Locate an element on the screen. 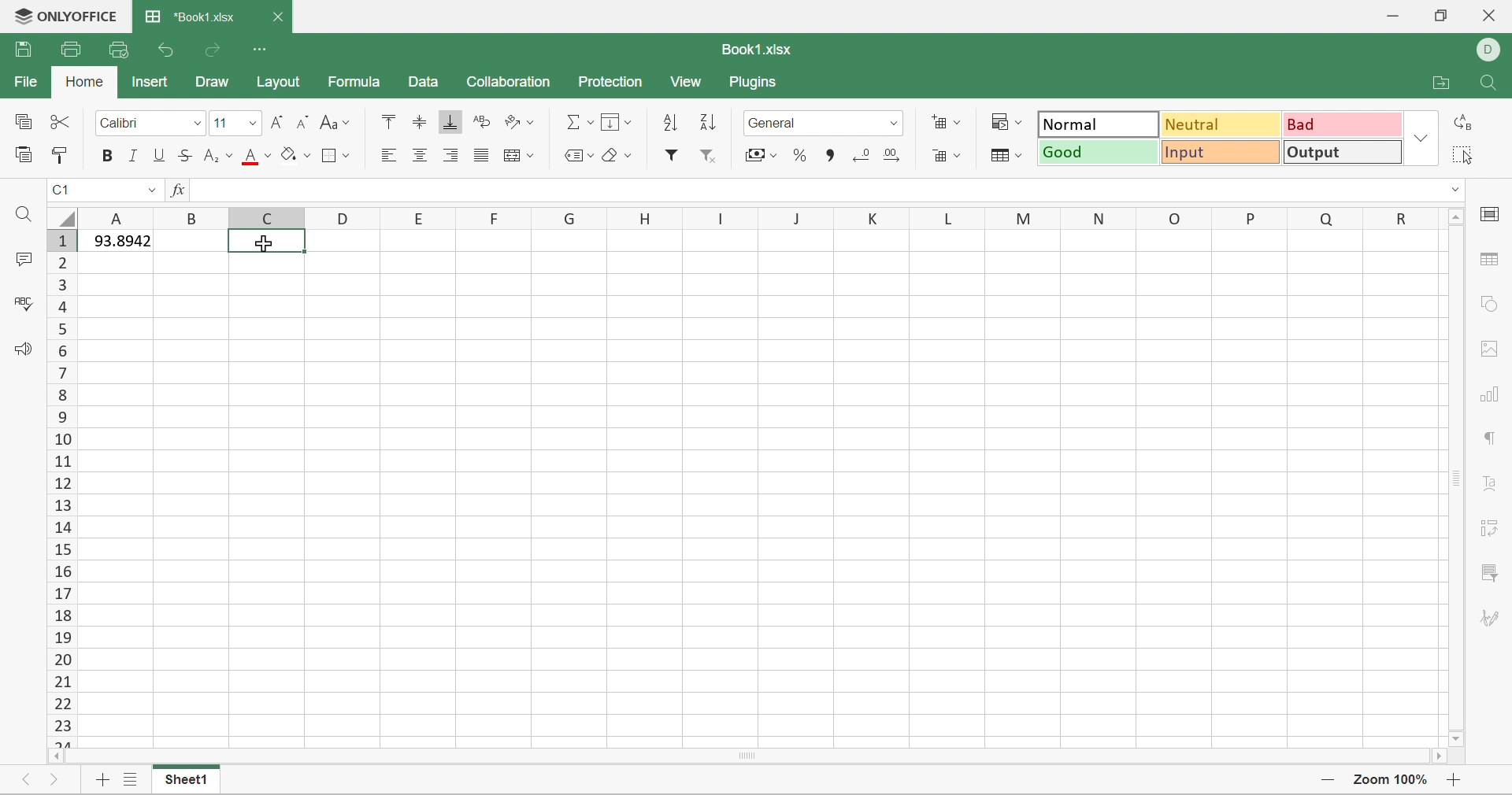 The image size is (1512, 795). table settings is located at coordinates (1492, 260).